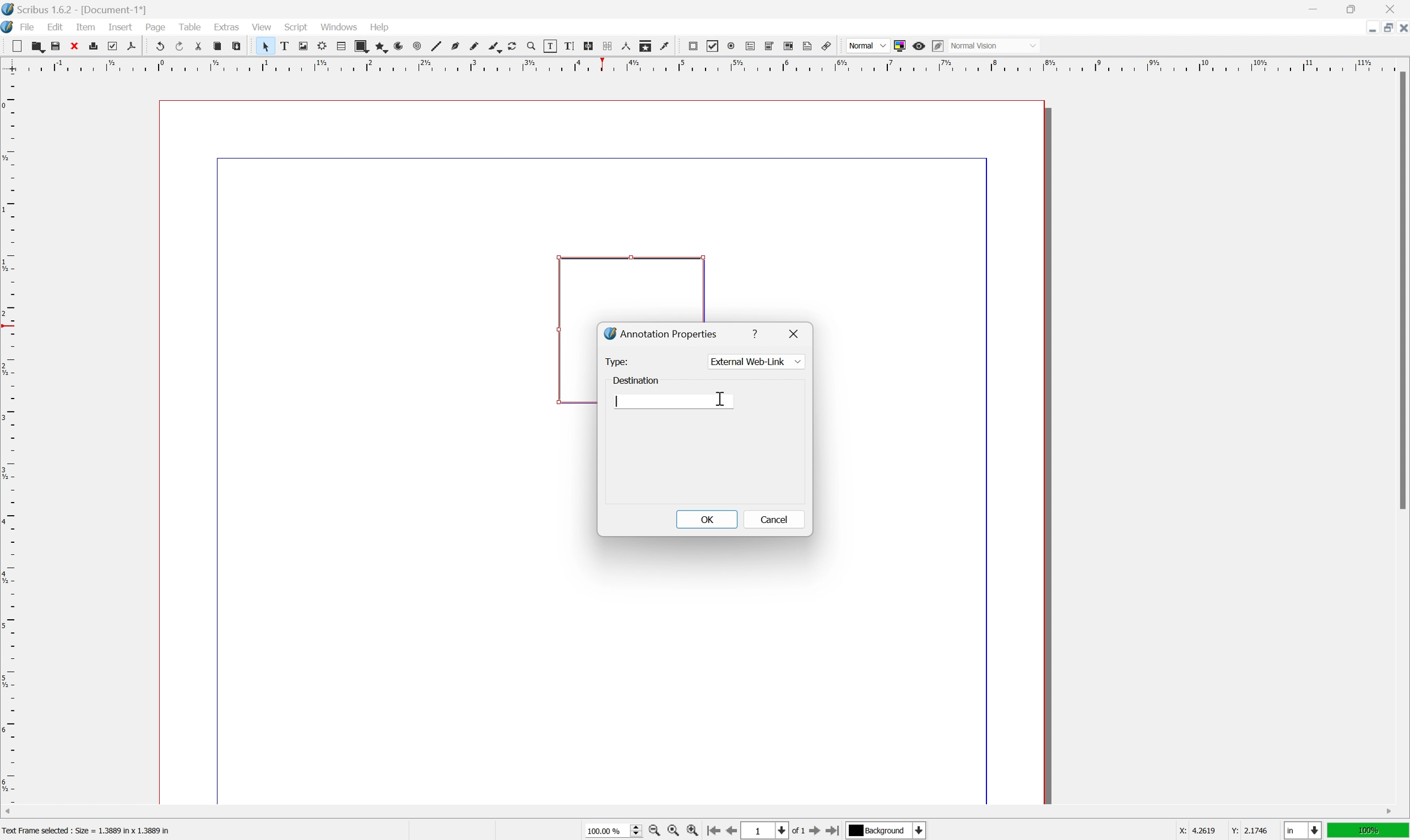  What do you see at coordinates (920, 46) in the screenshot?
I see `preview mode` at bounding box center [920, 46].